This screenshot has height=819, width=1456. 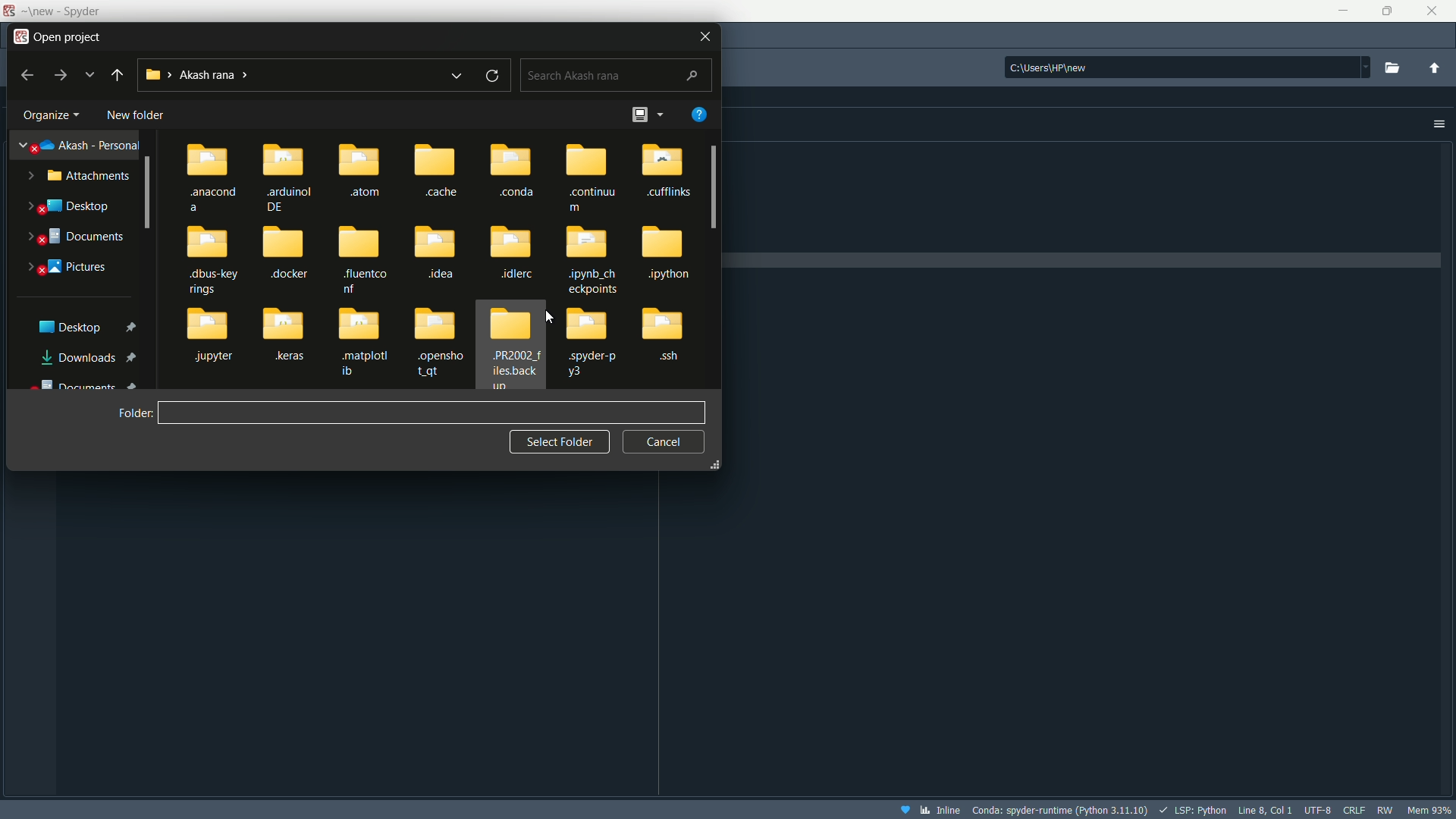 I want to click on interpreter, so click(x=1062, y=809).